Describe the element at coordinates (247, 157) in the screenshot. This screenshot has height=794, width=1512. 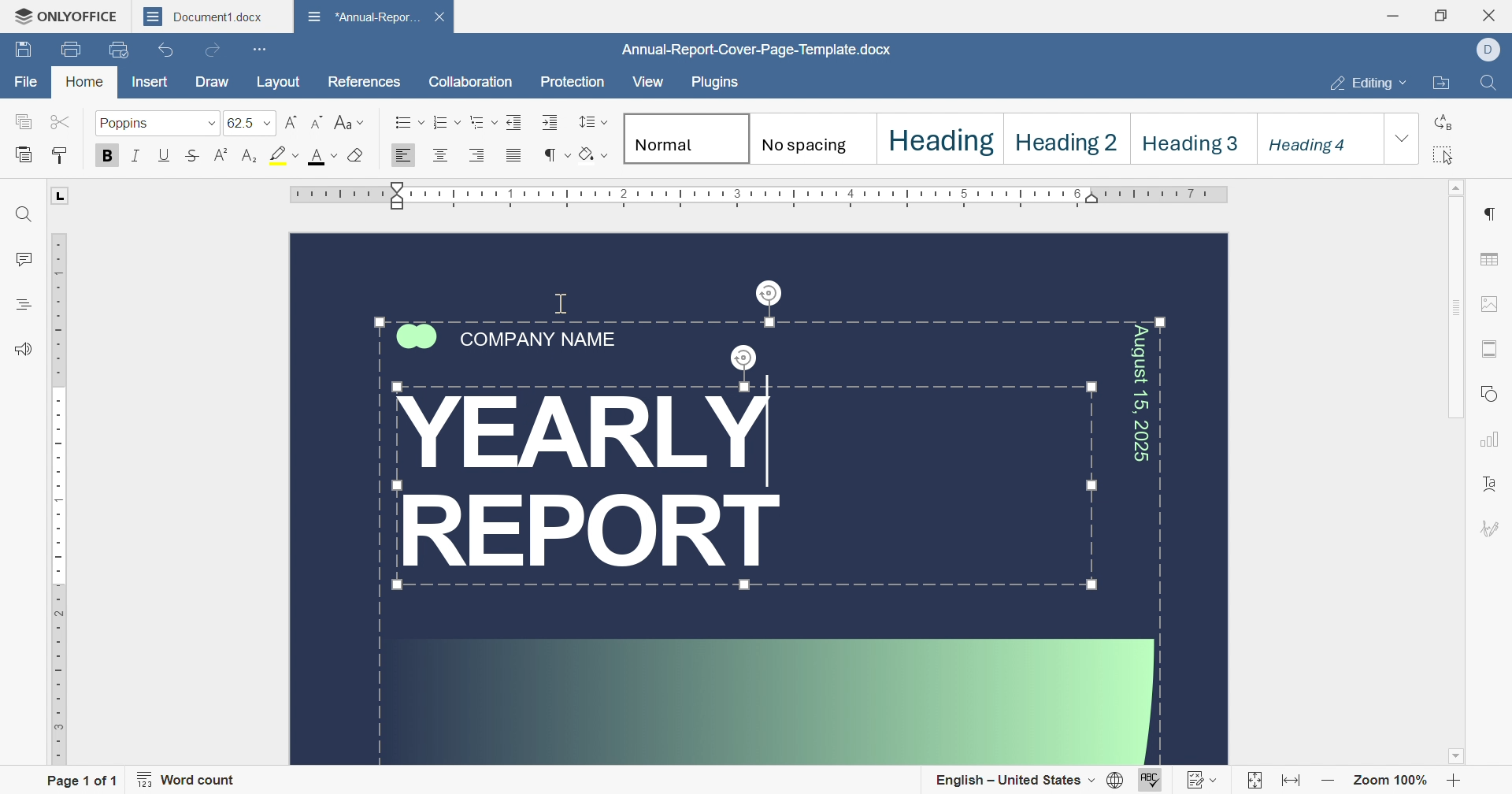
I see `subscript` at that location.